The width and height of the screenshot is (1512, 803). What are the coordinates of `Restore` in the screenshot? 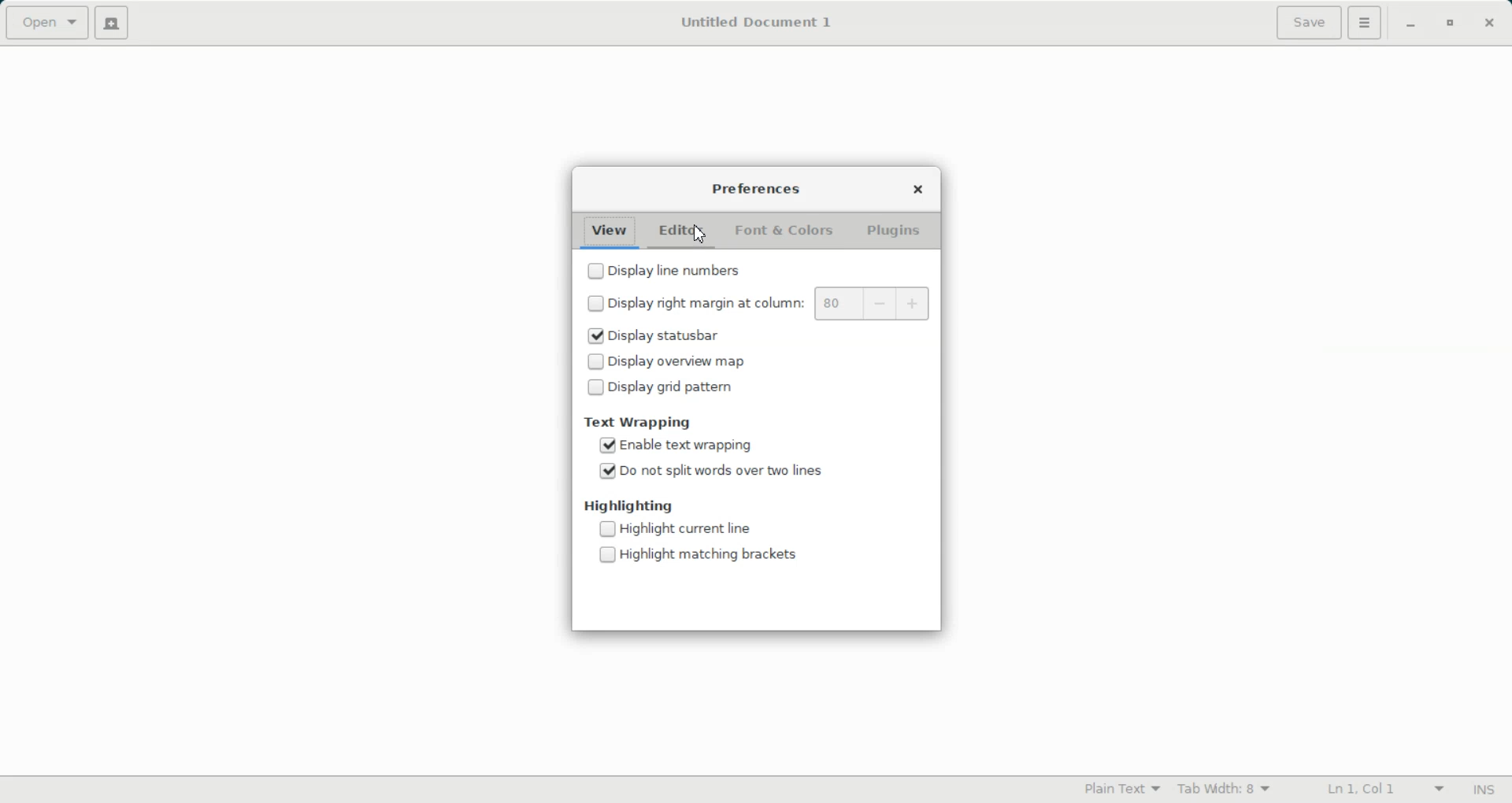 It's located at (1450, 24).